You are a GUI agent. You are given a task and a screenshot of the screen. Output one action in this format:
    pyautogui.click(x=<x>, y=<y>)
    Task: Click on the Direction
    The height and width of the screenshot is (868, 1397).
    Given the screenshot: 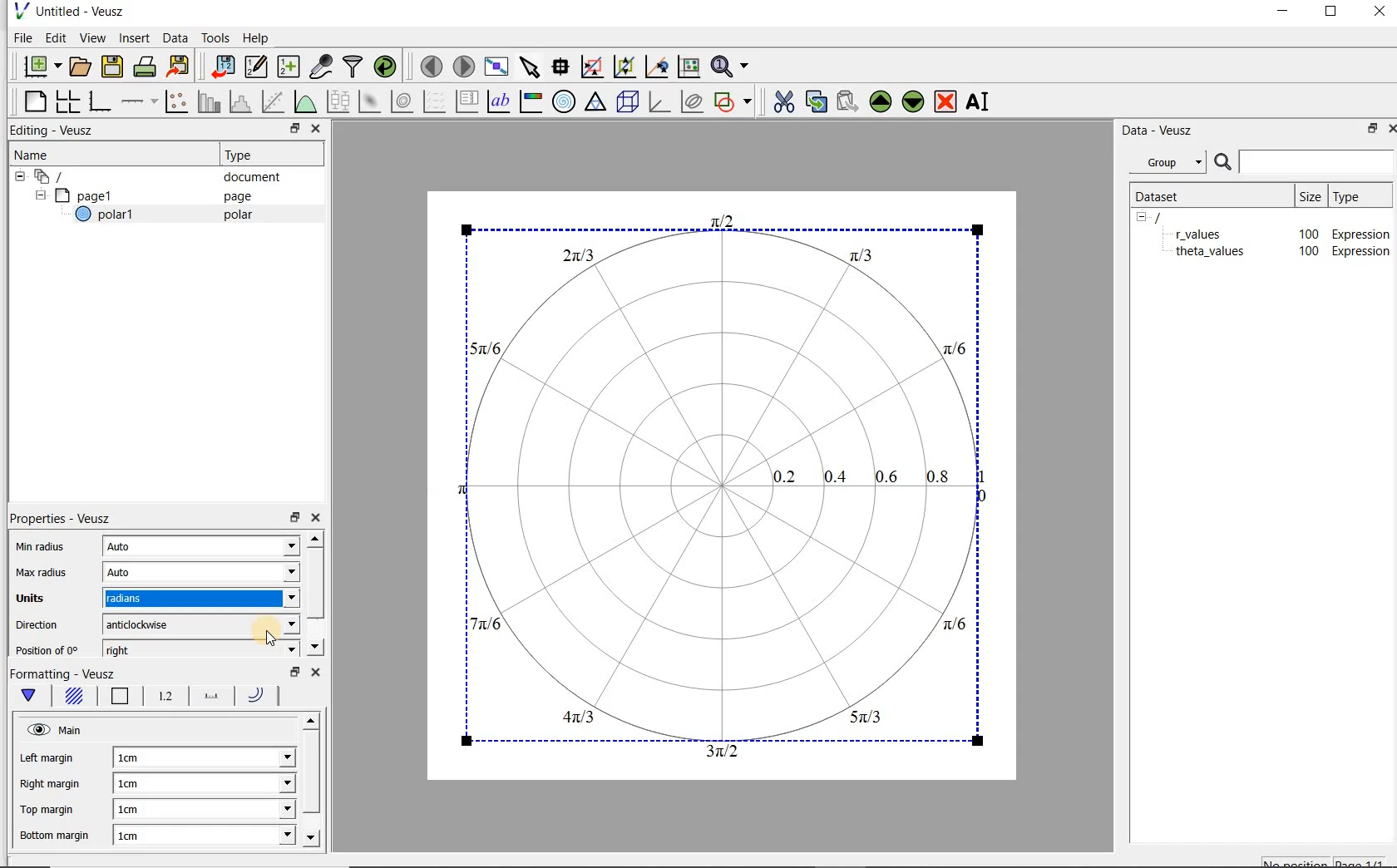 What is the action you would take?
    pyautogui.click(x=40, y=627)
    